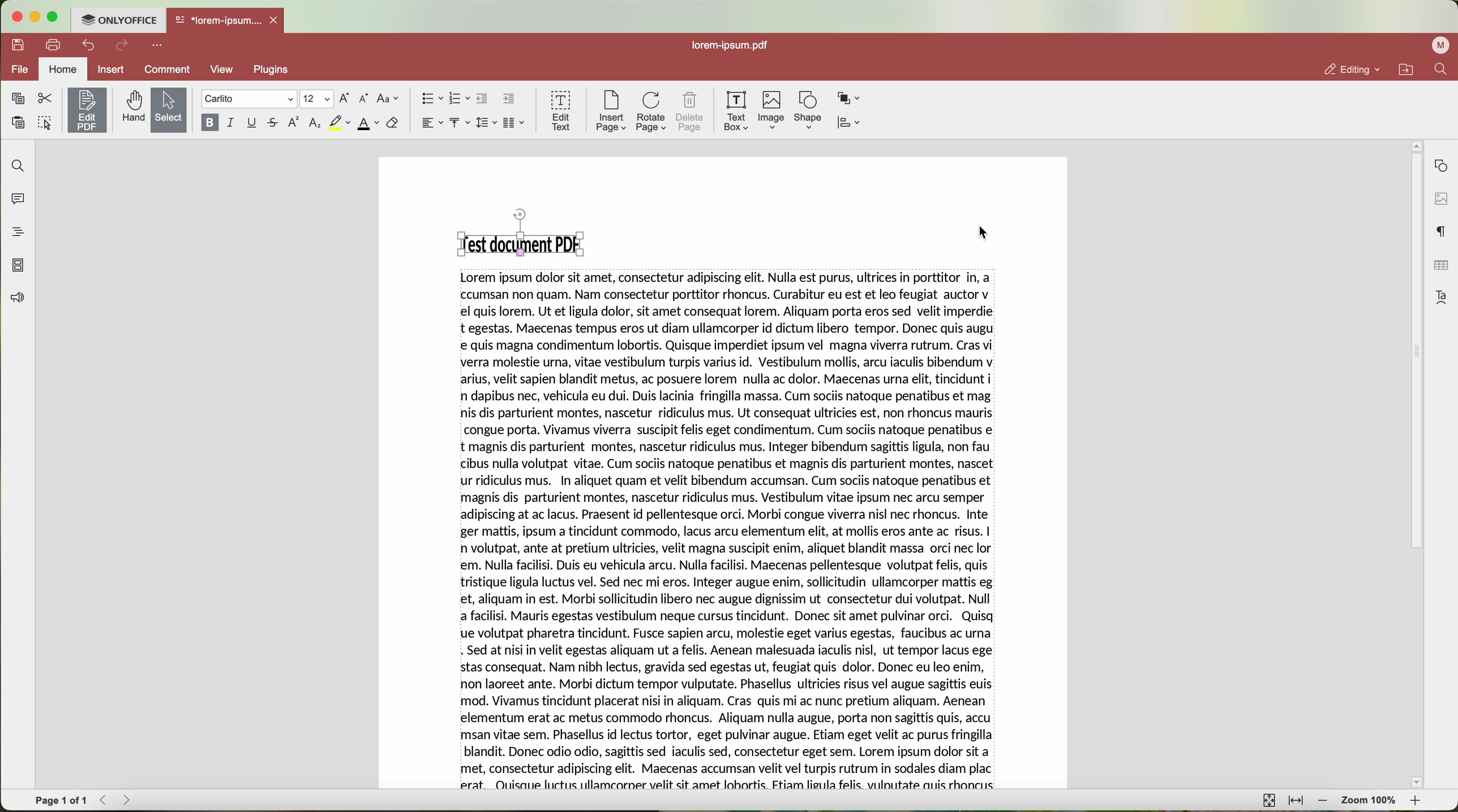 Image resolution: width=1458 pixels, height=812 pixels. What do you see at coordinates (45, 122) in the screenshot?
I see `select all` at bounding box center [45, 122].